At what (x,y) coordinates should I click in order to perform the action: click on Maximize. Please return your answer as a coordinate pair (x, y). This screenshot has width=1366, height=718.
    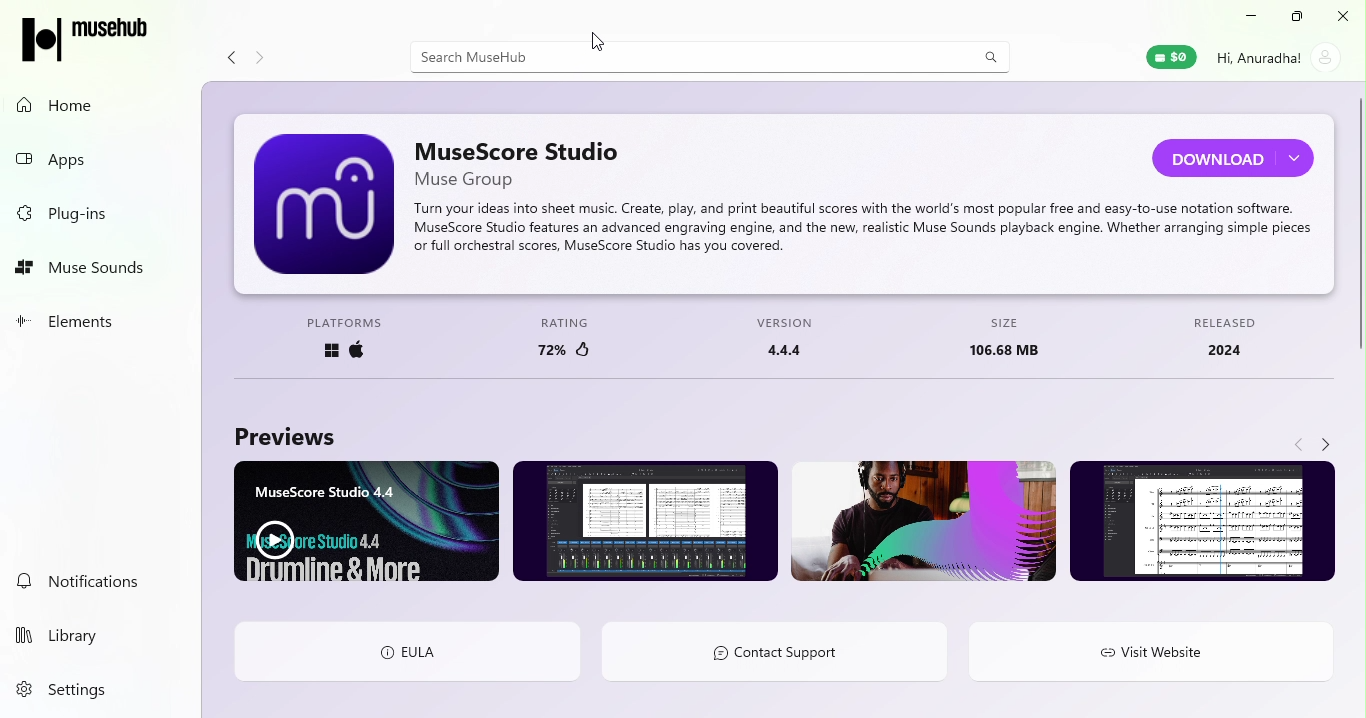
    Looking at the image, I should click on (1295, 17).